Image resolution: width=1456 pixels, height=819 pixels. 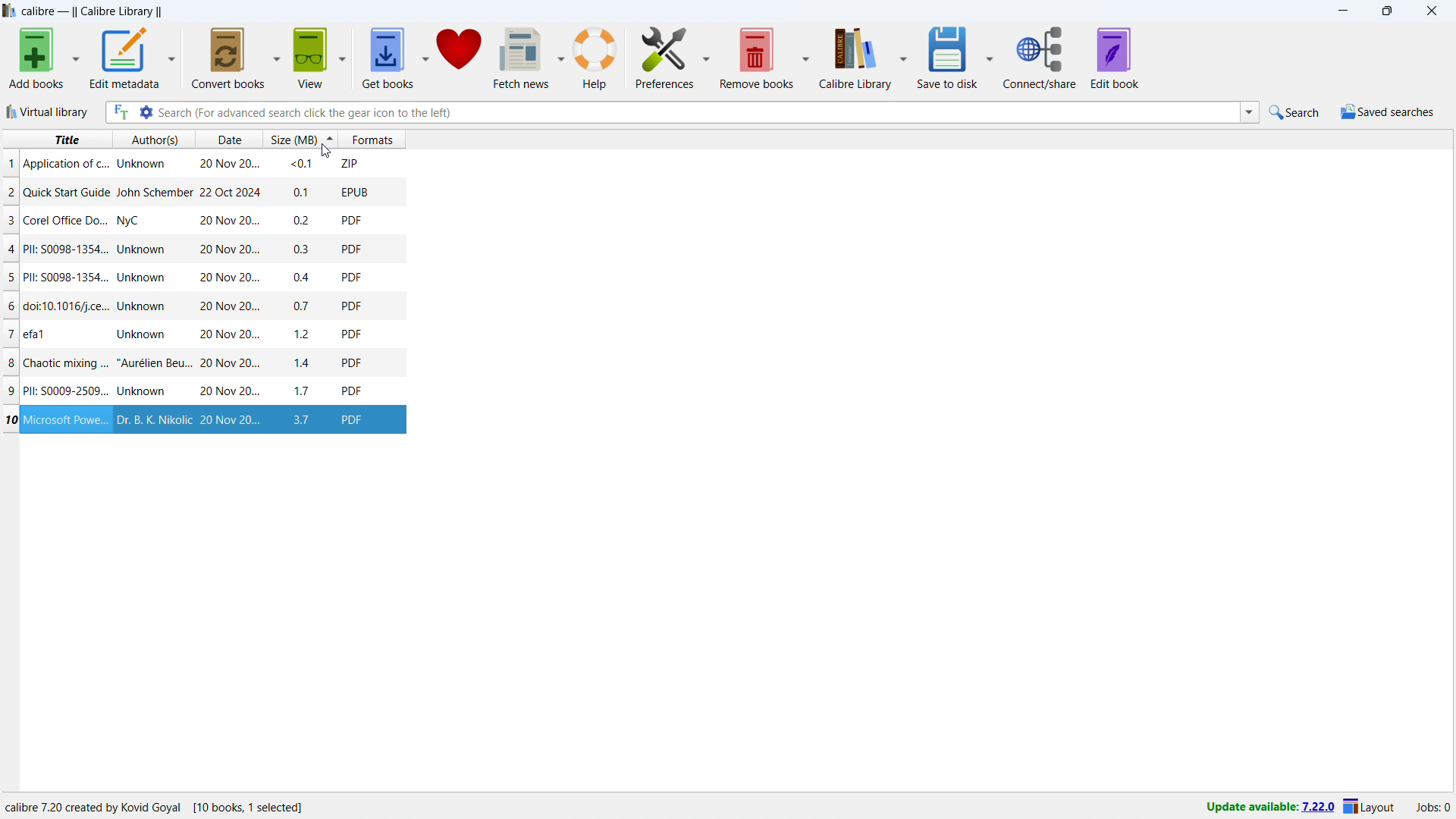 What do you see at coordinates (989, 58) in the screenshot?
I see `save to disk options` at bounding box center [989, 58].